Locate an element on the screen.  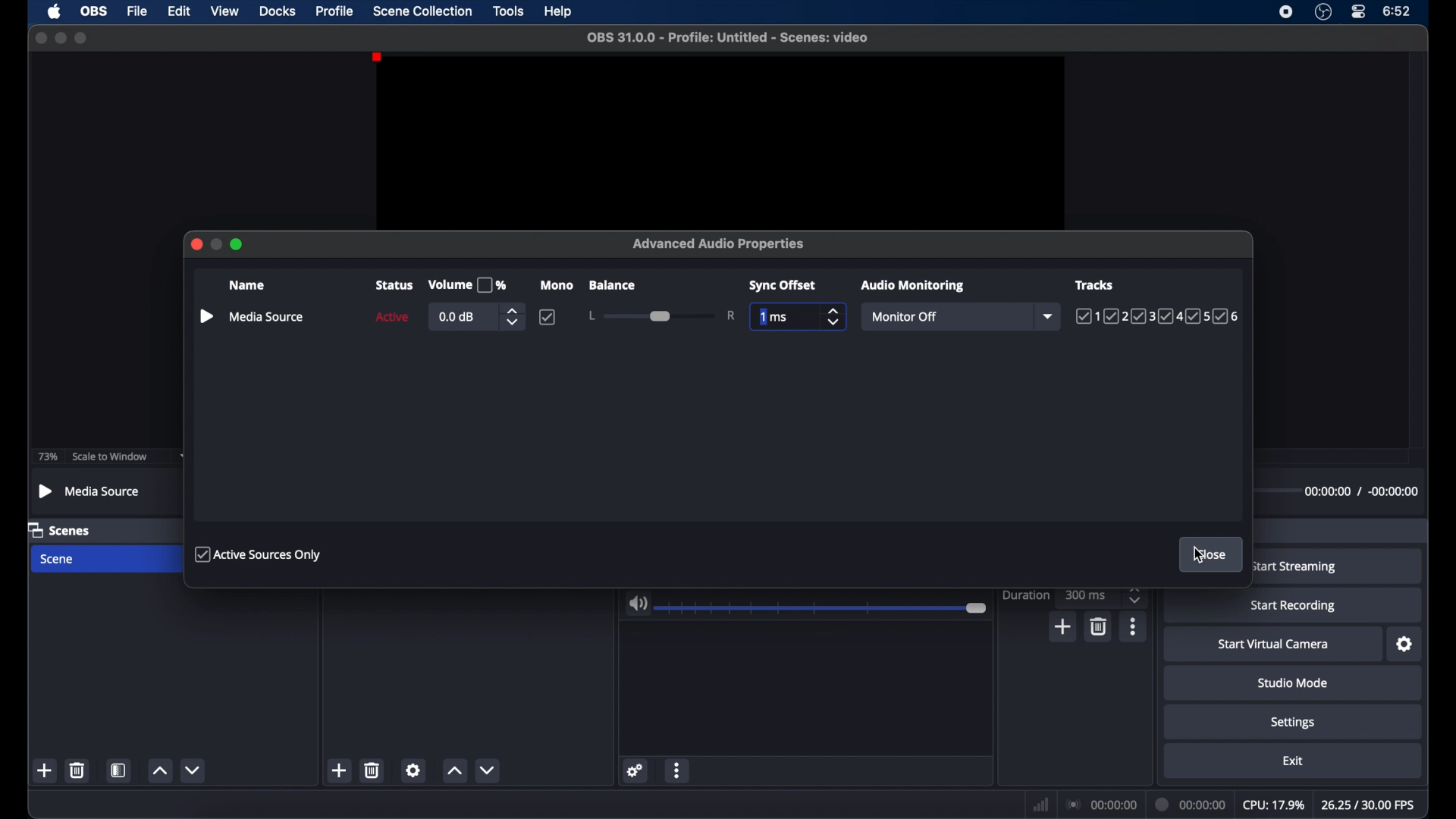
cursor is located at coordinates (1200, 555).